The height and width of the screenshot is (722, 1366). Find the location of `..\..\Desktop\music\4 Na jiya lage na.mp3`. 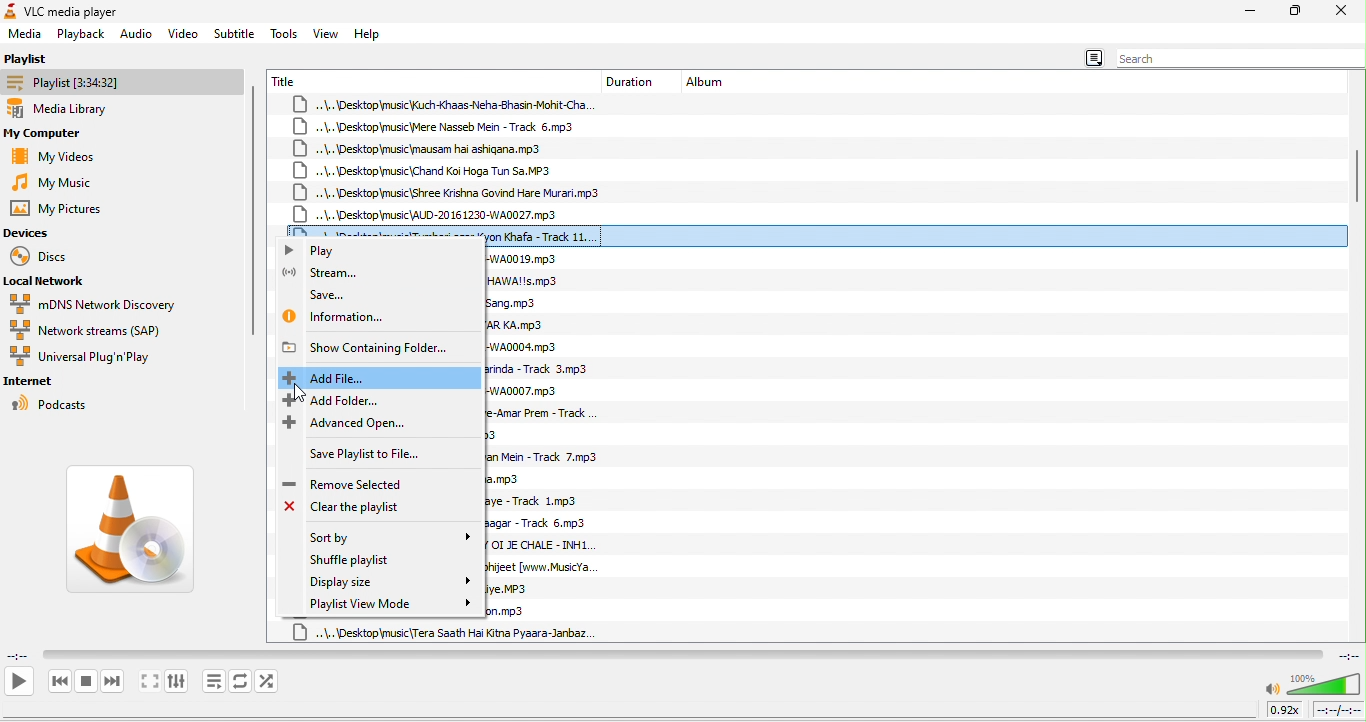

..\..\Desktop\music\4 Na jiya lage na.mp3 is located at coordinates (508, 480).